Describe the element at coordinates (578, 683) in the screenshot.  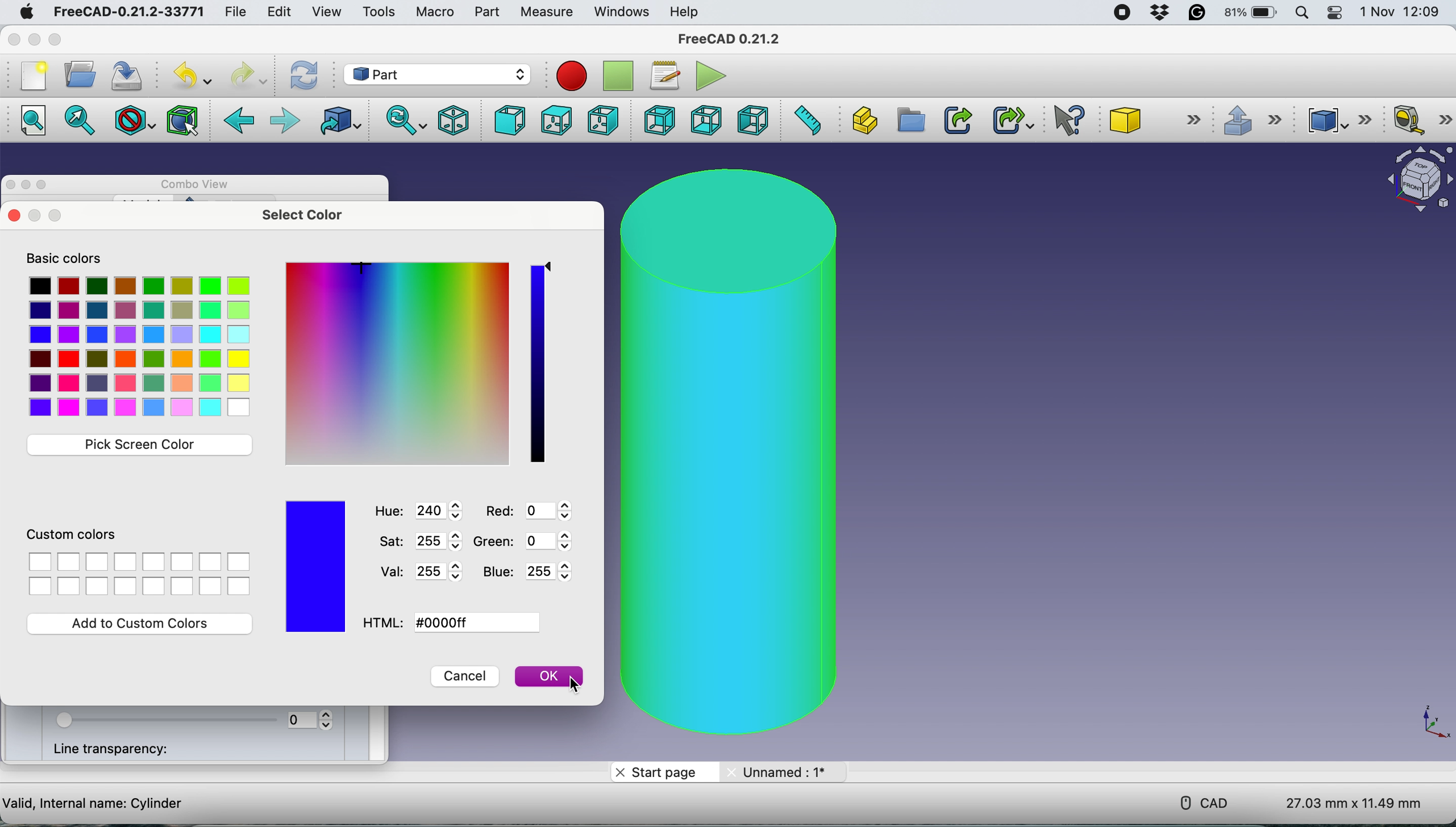
I see `cursor` at that location.